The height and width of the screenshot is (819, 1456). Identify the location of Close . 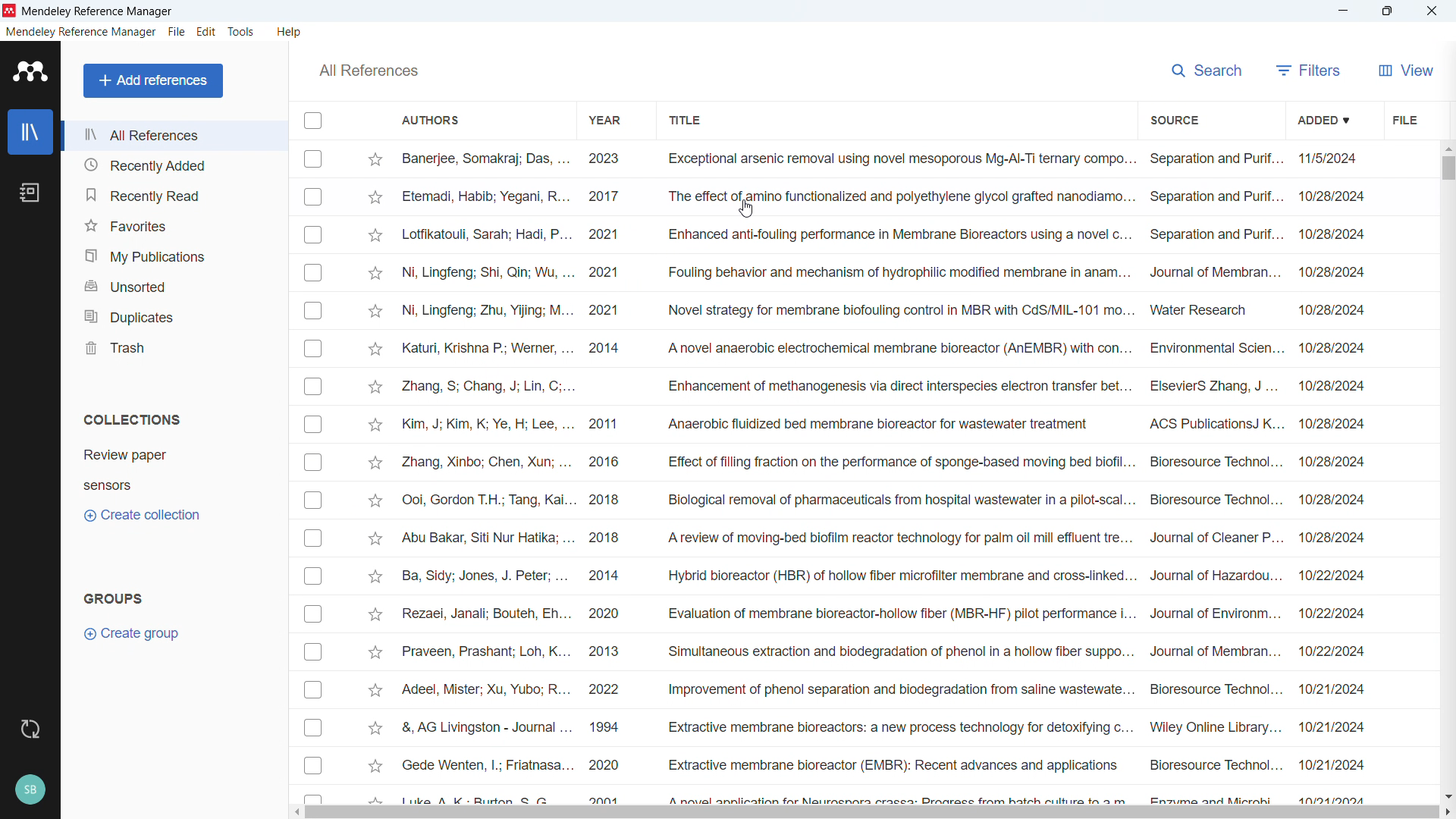
(1431, 11).